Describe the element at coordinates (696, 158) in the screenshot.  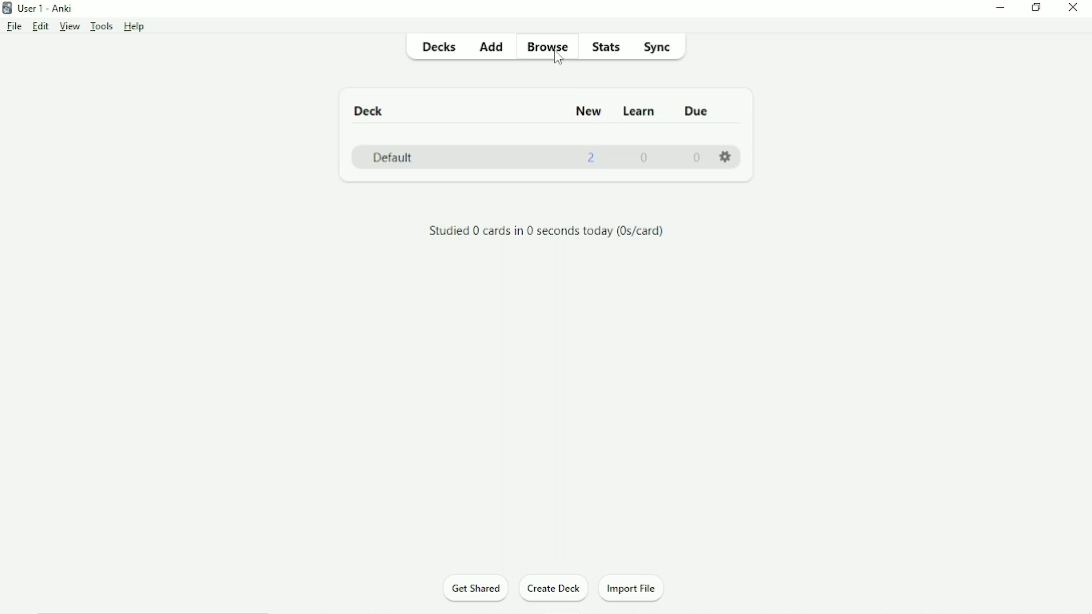
I see `0` at that location.